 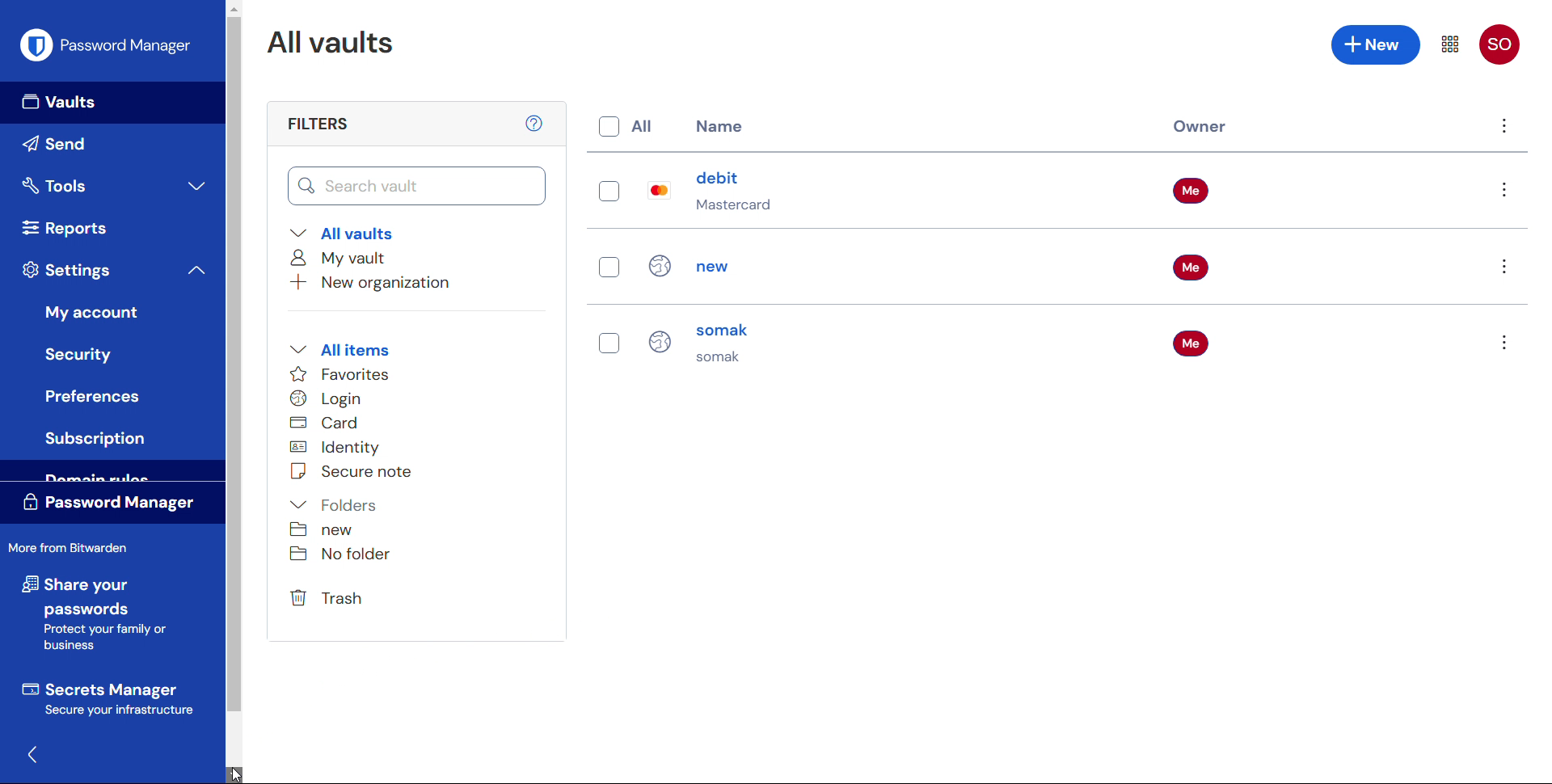 I want to click on My vault , so click(x=339, y=257).